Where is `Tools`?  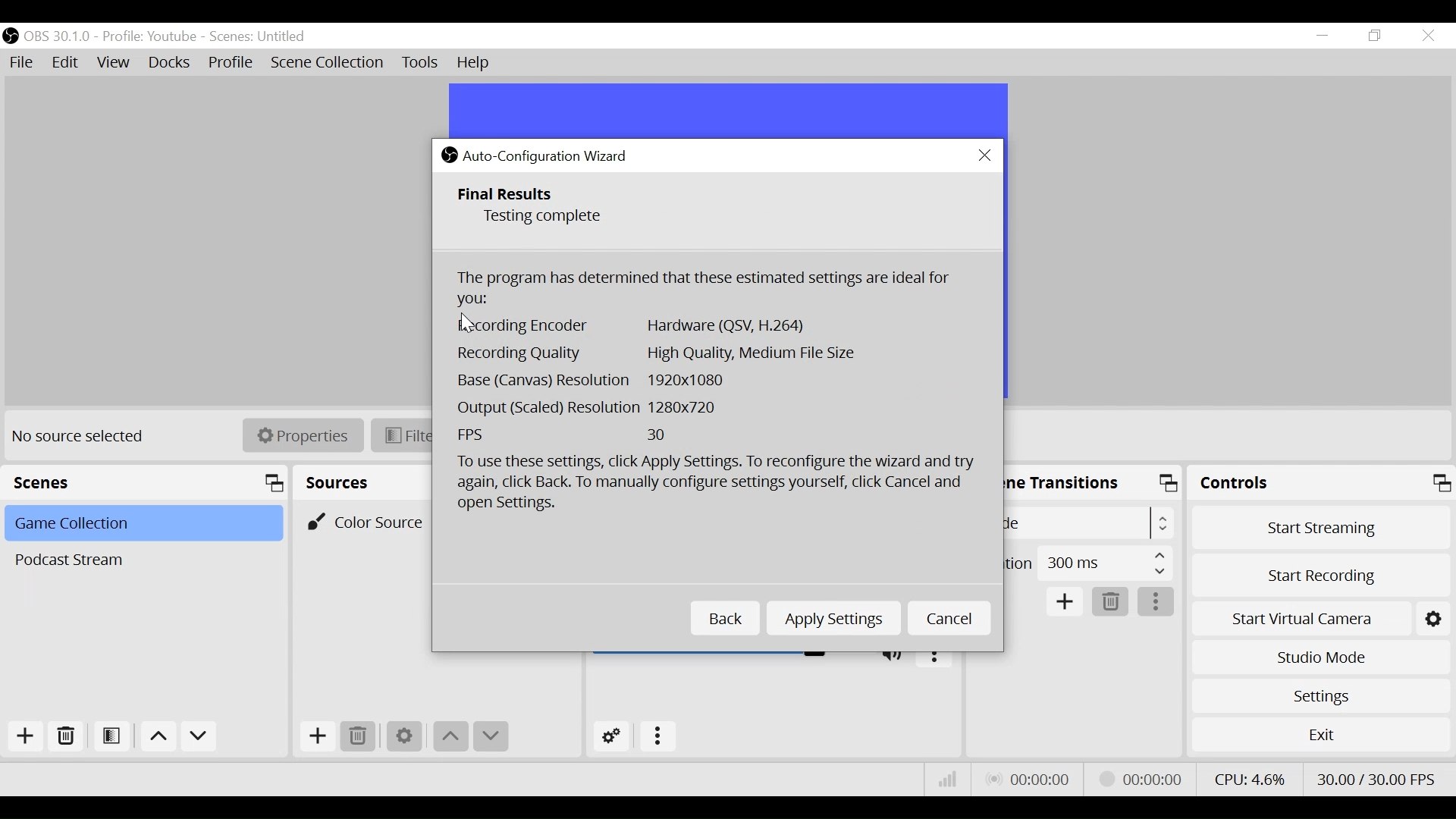
Tools is located at coordinates (420, 63).